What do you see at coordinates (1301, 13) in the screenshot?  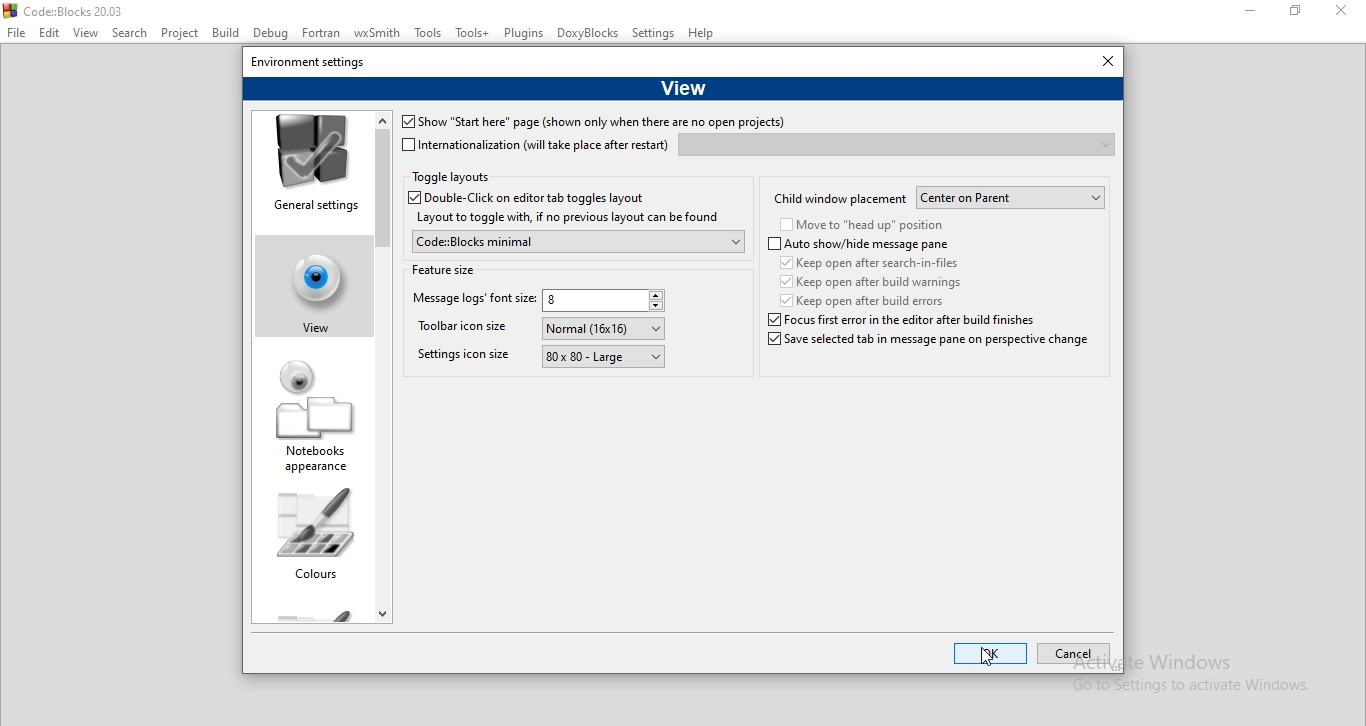 I see `restore` at bounding box center [1301, 13].